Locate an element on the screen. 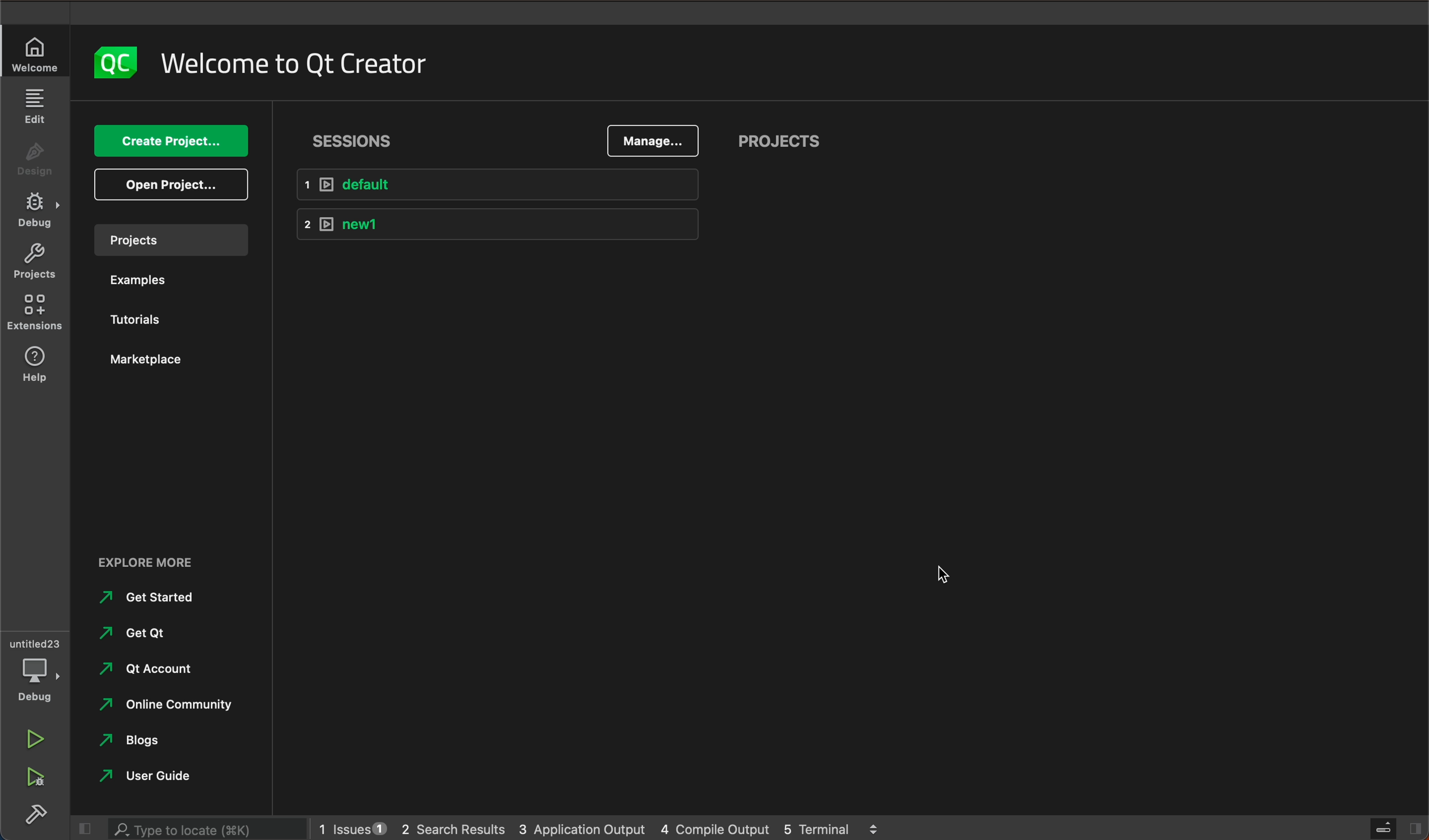 This screenshot has height=840, width=1429. terminal is located at coordinates (832, 826).